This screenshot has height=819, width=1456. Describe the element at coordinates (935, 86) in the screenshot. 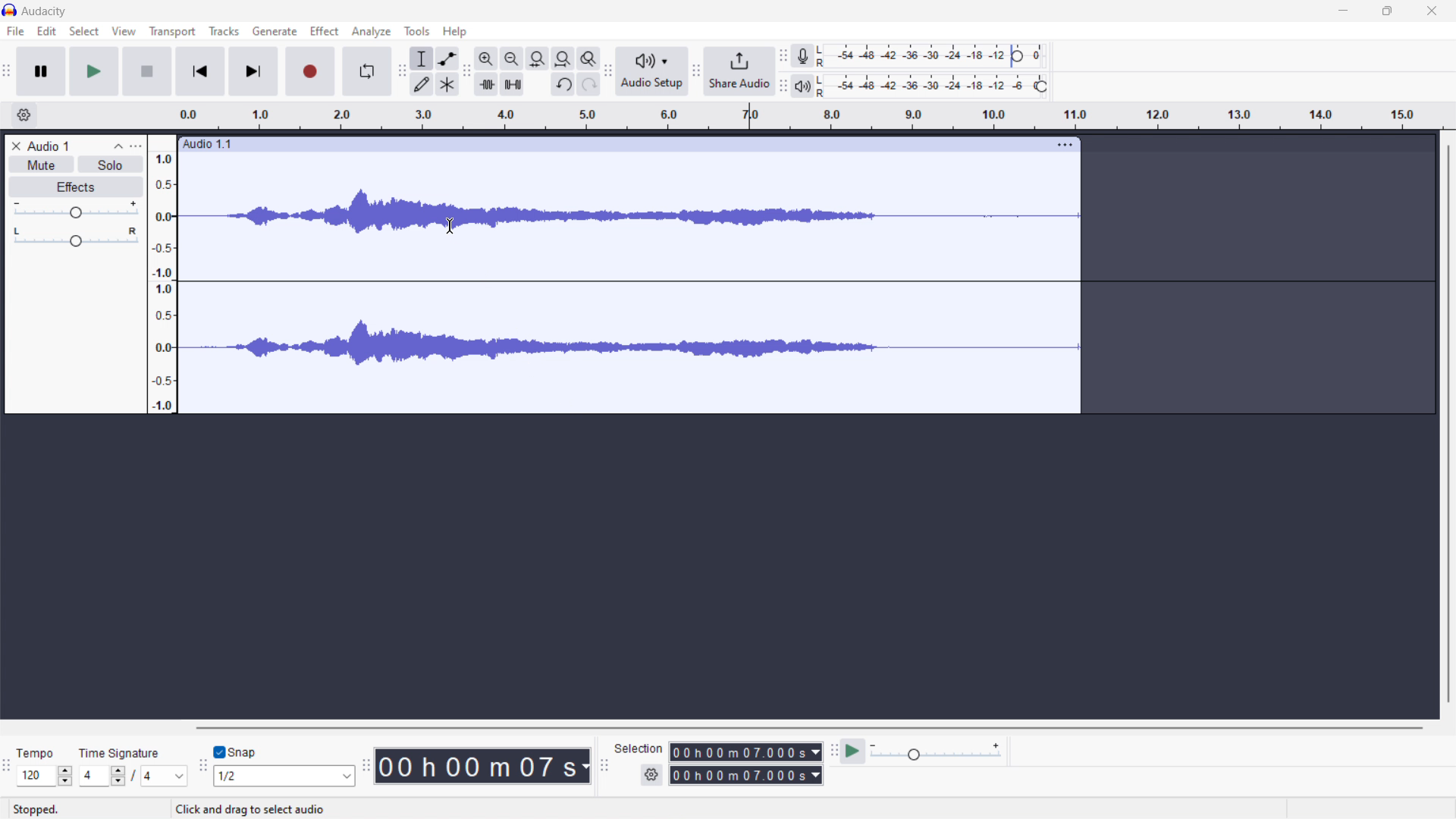

I see `playback level` at that location.